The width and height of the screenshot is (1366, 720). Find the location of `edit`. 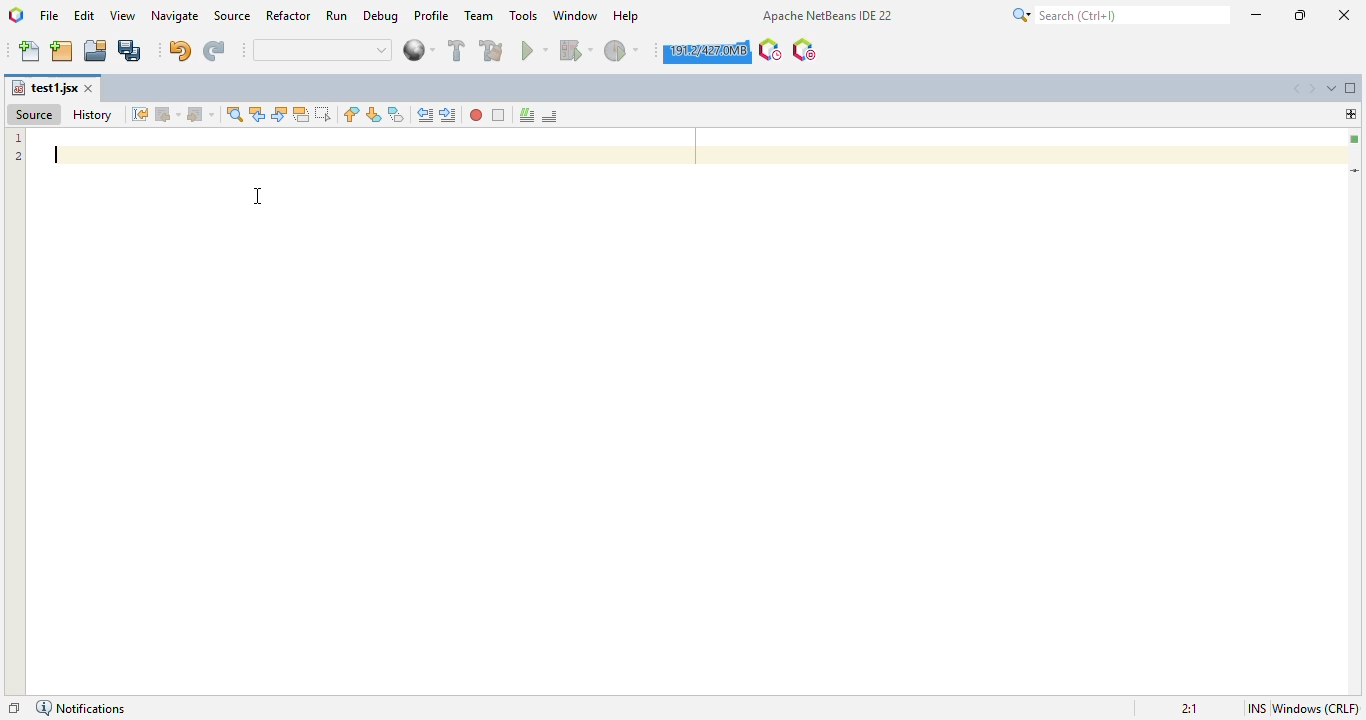

edit is located at coordinates (85, 15).